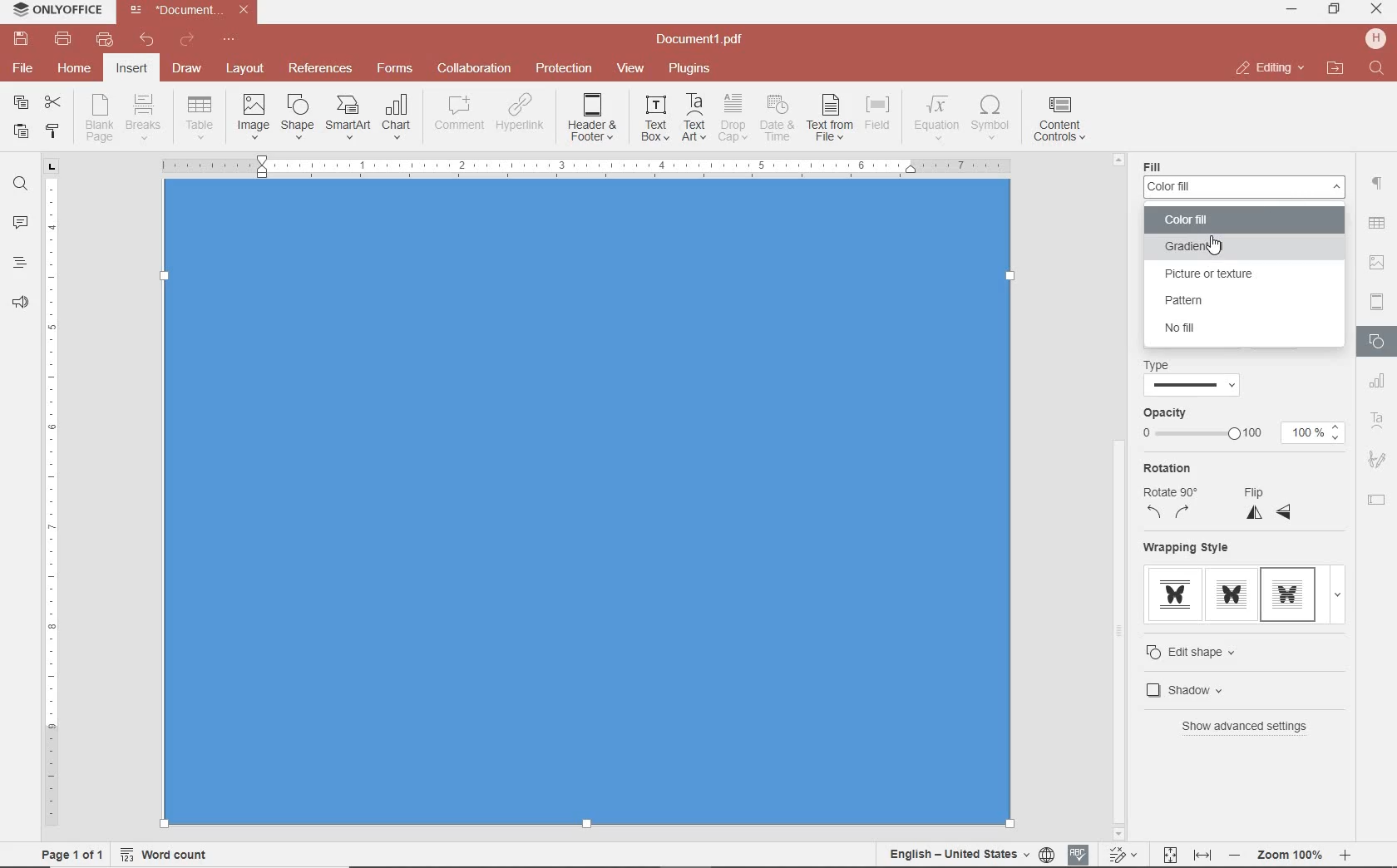 This screenshot has width=1397, height=868. What do you see at coordinates (1354, 644) in the screenshot?
I see `scrollbar` at bounding box center [1354, 644].